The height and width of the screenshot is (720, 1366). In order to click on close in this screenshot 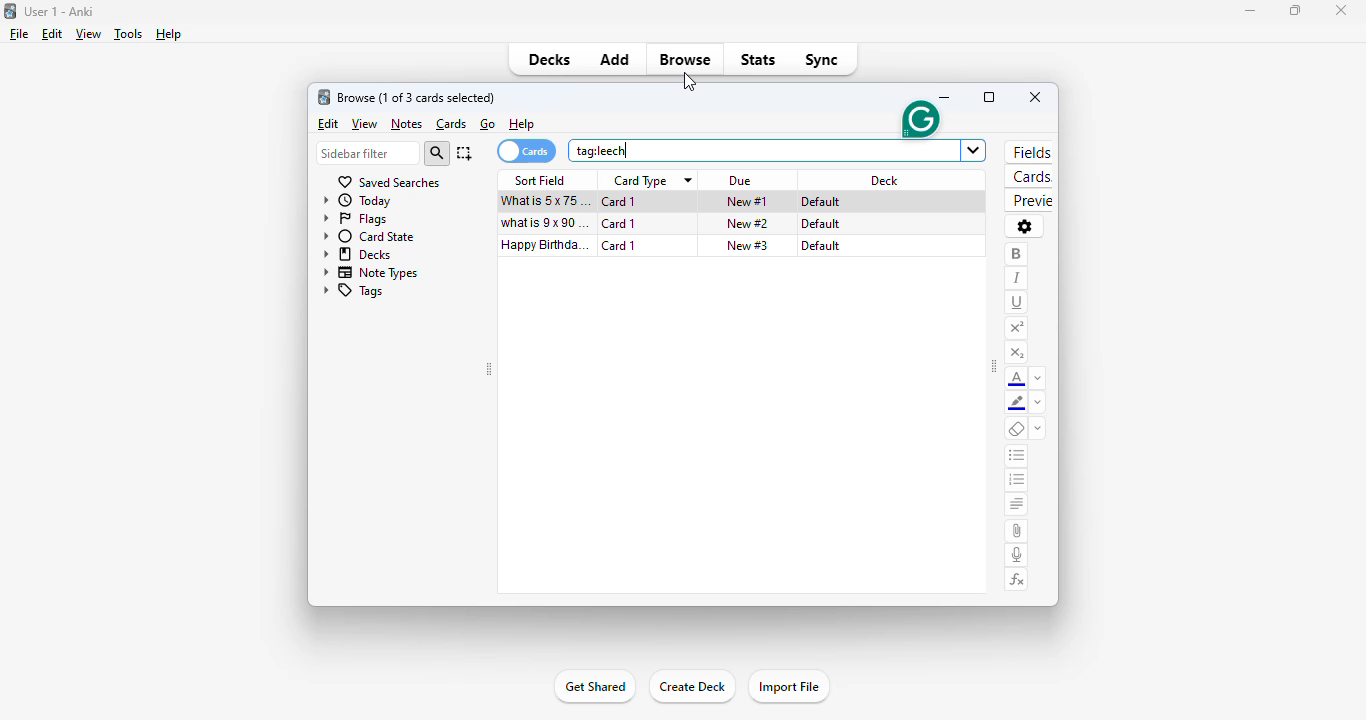, I will do `click(1035, 97)`.